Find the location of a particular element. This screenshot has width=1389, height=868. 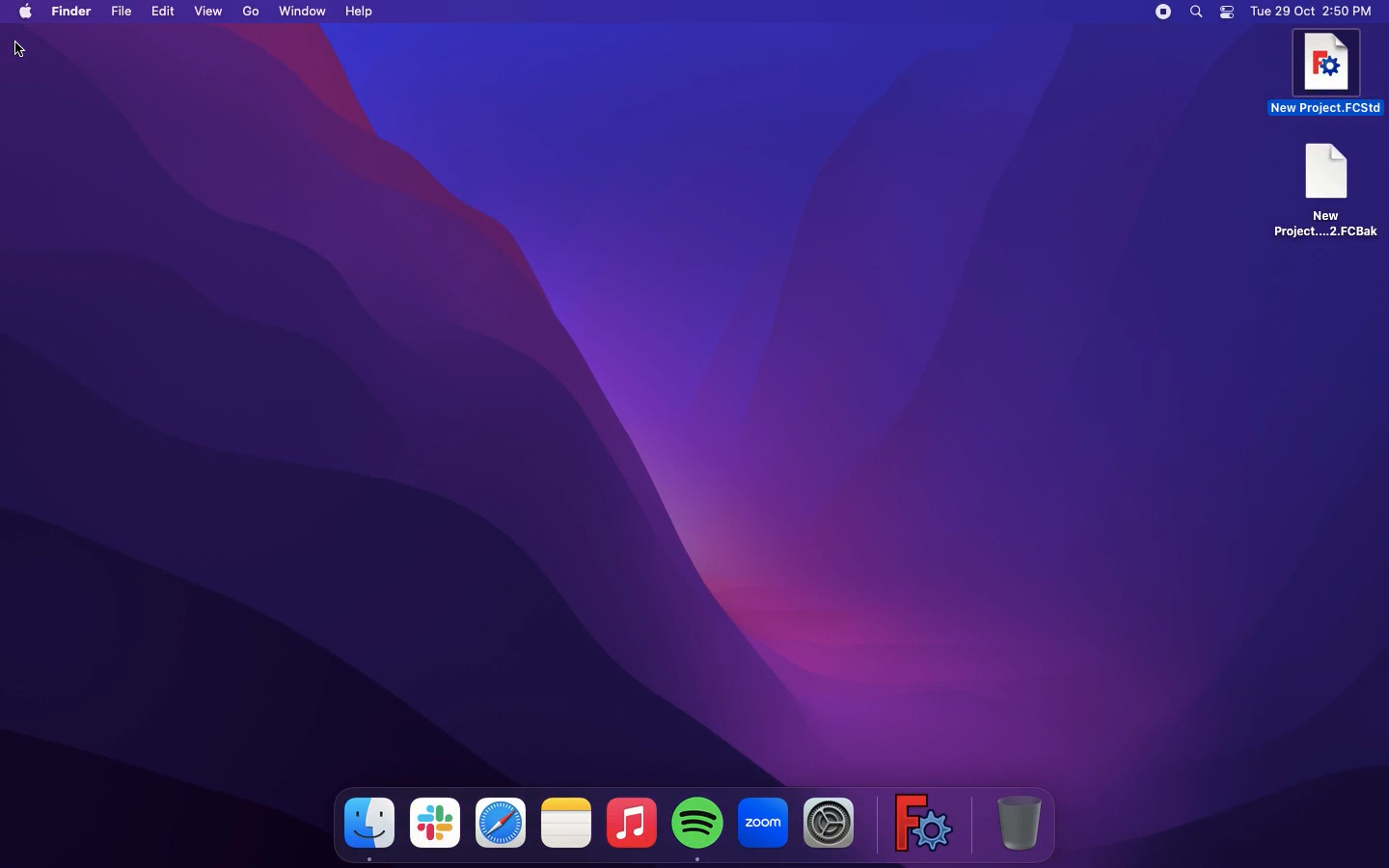

Go is located at coordinates (254, 10).